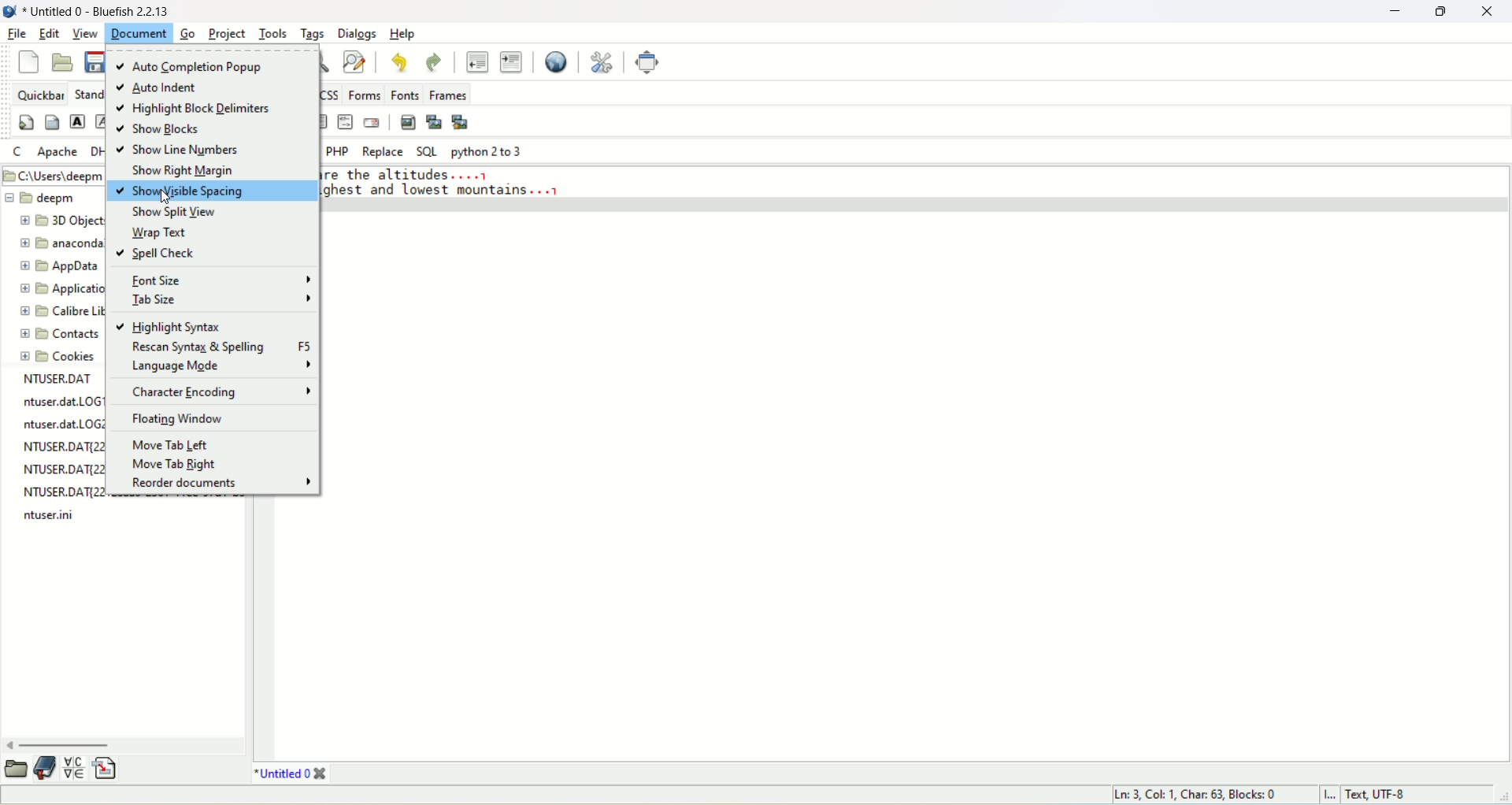 This screenshot has height=805, width=1512. I want to click on 3D object, so click(54, 220).